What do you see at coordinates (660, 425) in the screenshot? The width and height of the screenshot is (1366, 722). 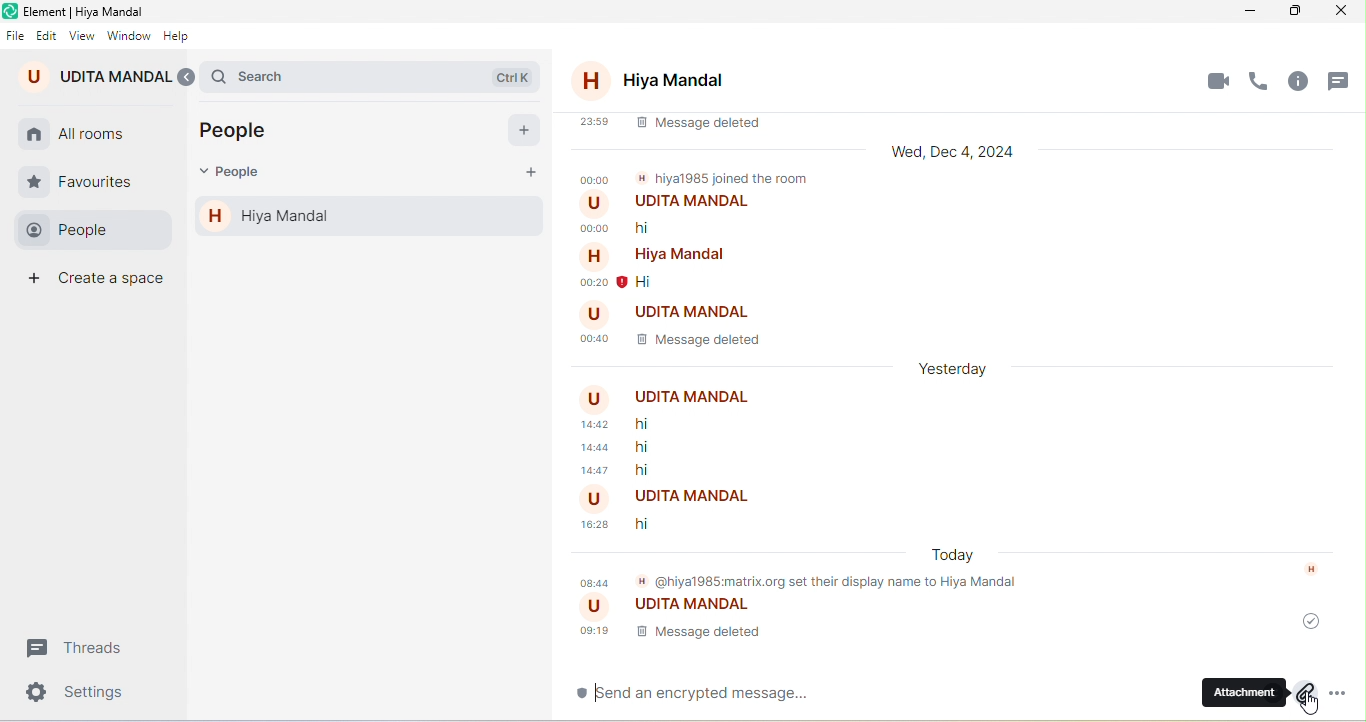 I see `Hi` at bounding box center [660, 425].